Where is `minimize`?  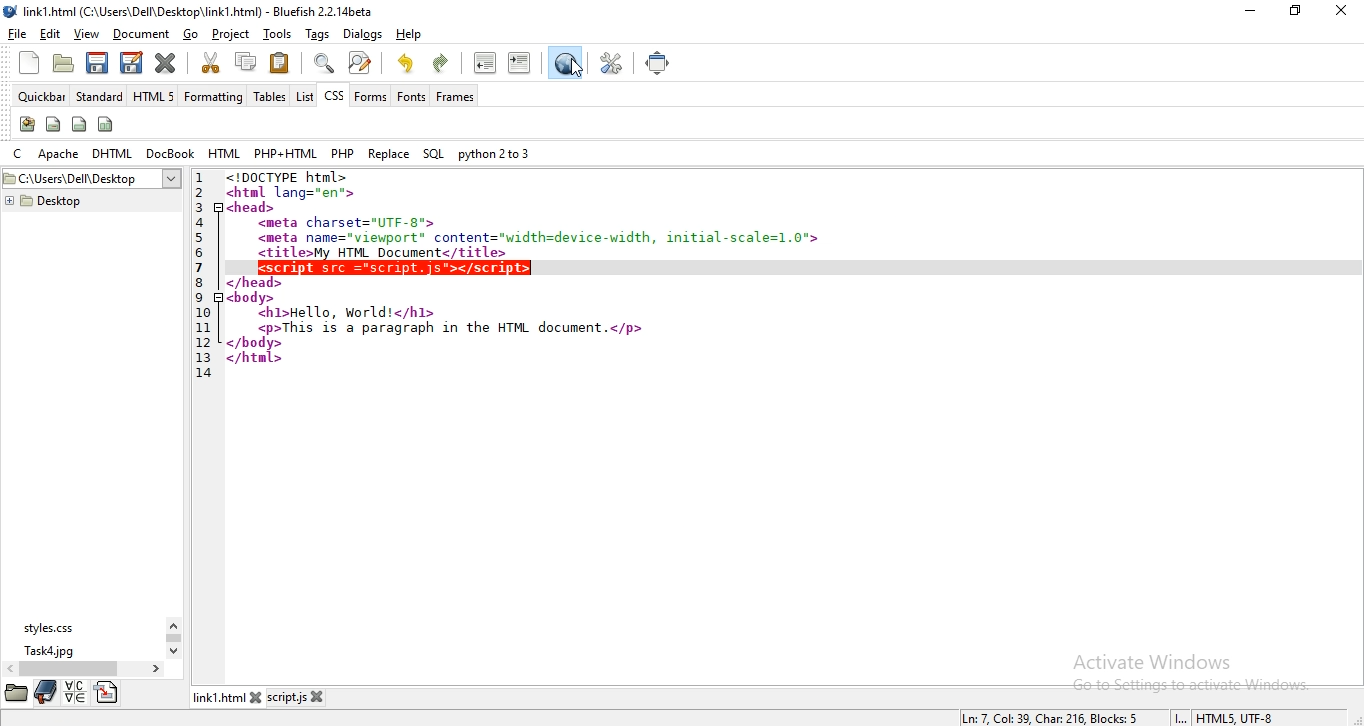
minimize is located at coordinates (1249, 9).